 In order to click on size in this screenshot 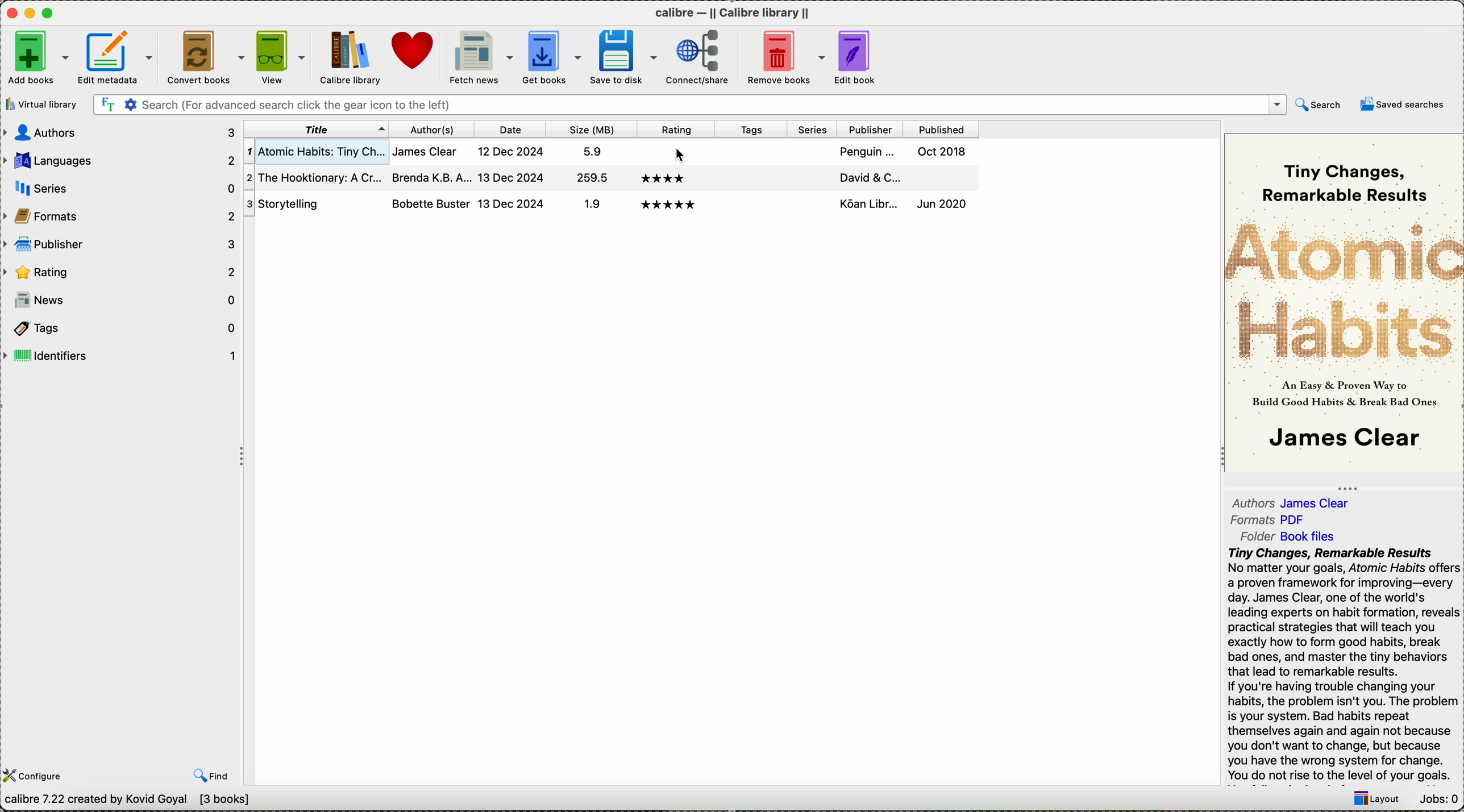, I will do `click(590, 129)`.